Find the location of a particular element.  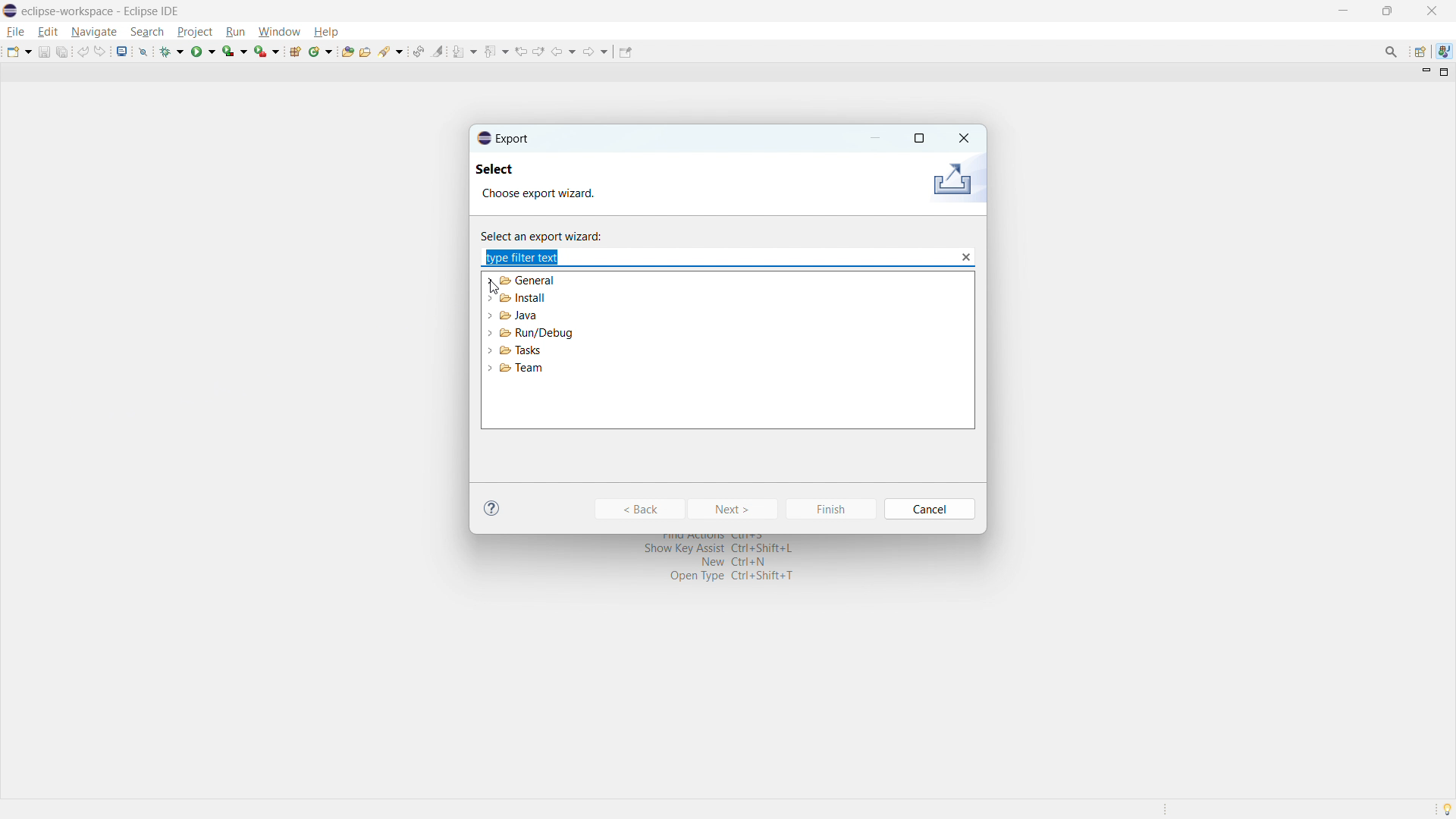

save is located at coordinates (43, 52).